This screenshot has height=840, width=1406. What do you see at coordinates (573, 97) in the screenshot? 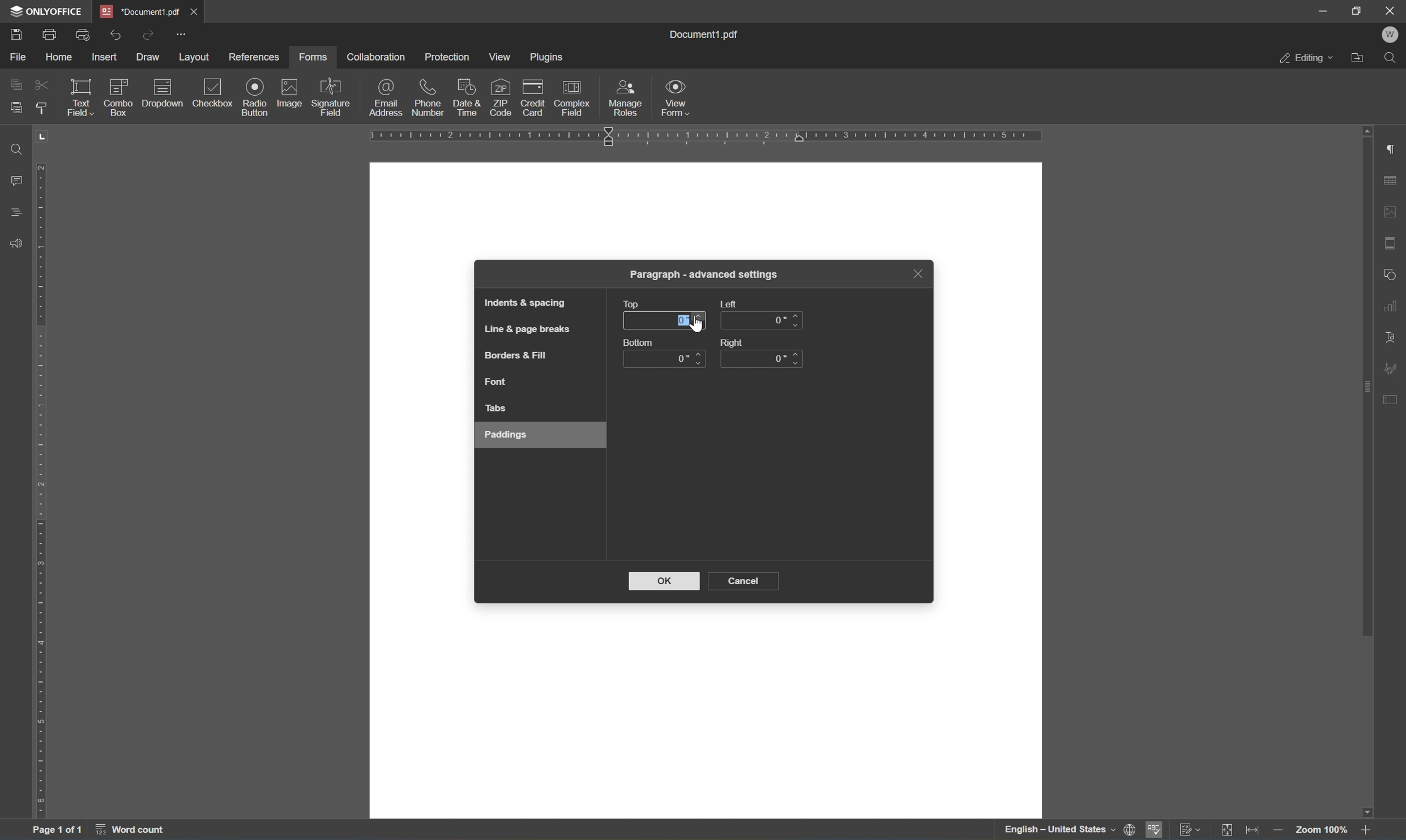
I see `complex field` at bounding box center [573, 97].